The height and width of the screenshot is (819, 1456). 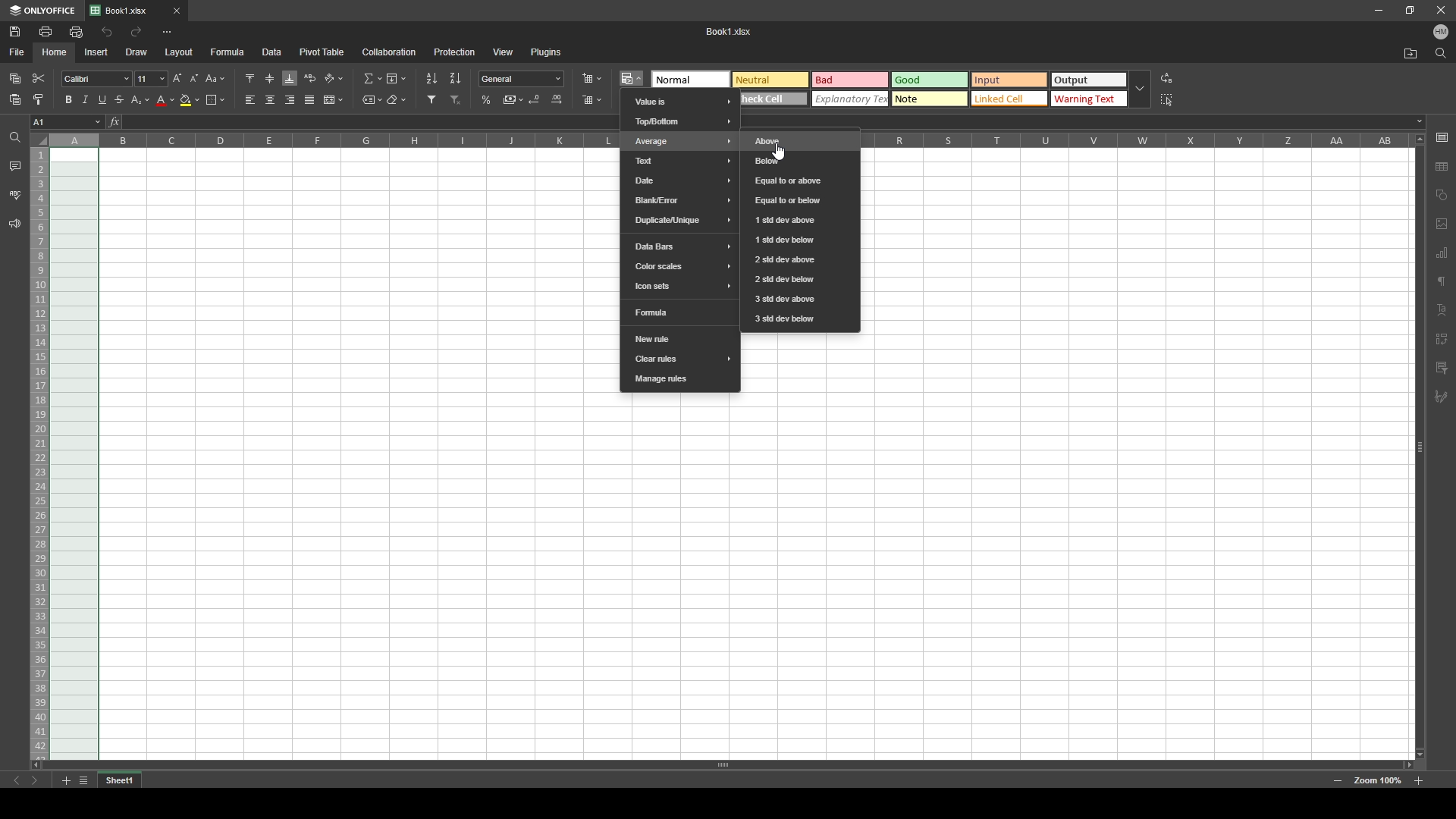 I want to click on draw, so click(x=136, y=52).